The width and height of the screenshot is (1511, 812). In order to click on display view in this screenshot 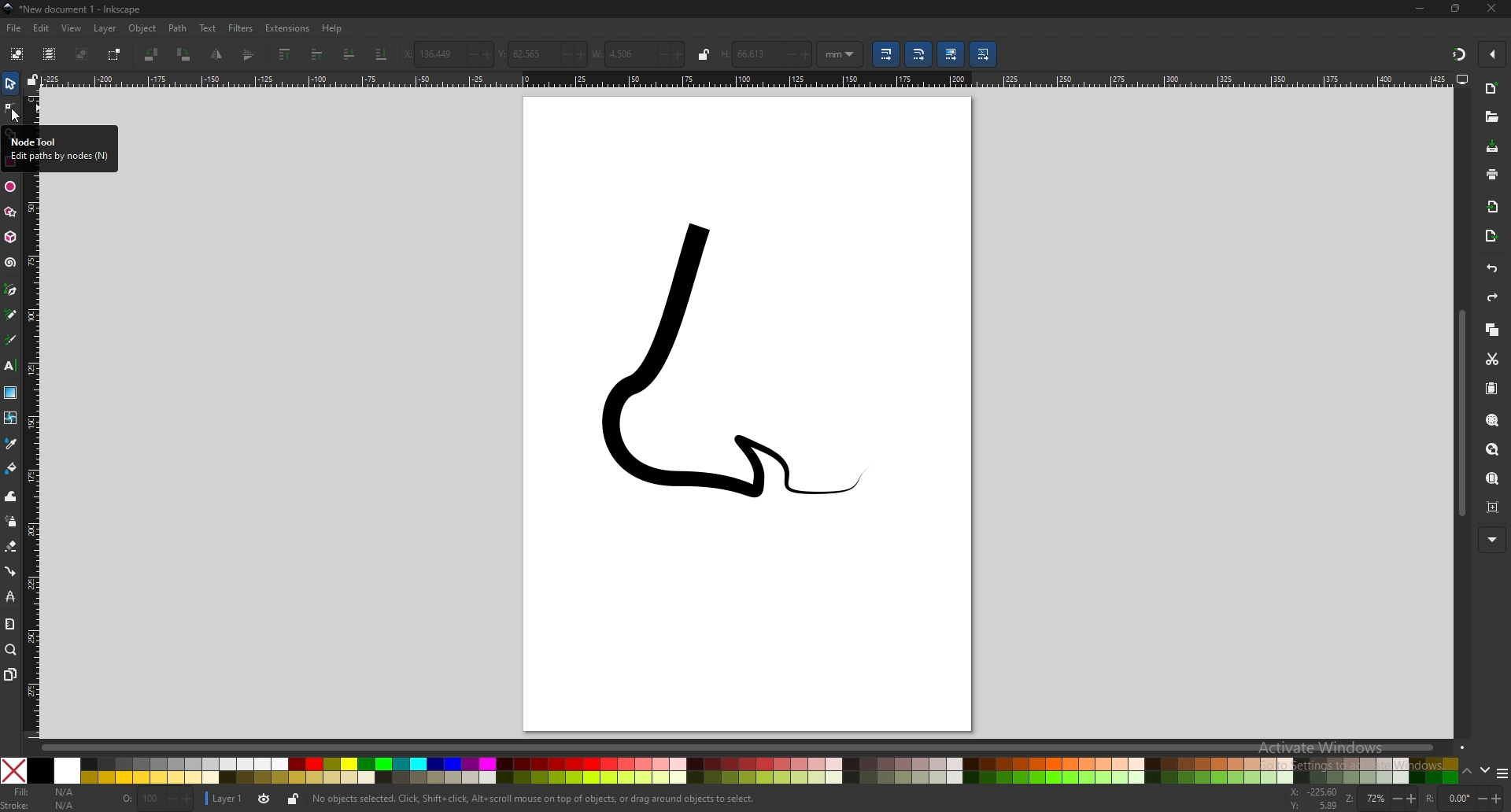, I will do `click(1462, 80)`.